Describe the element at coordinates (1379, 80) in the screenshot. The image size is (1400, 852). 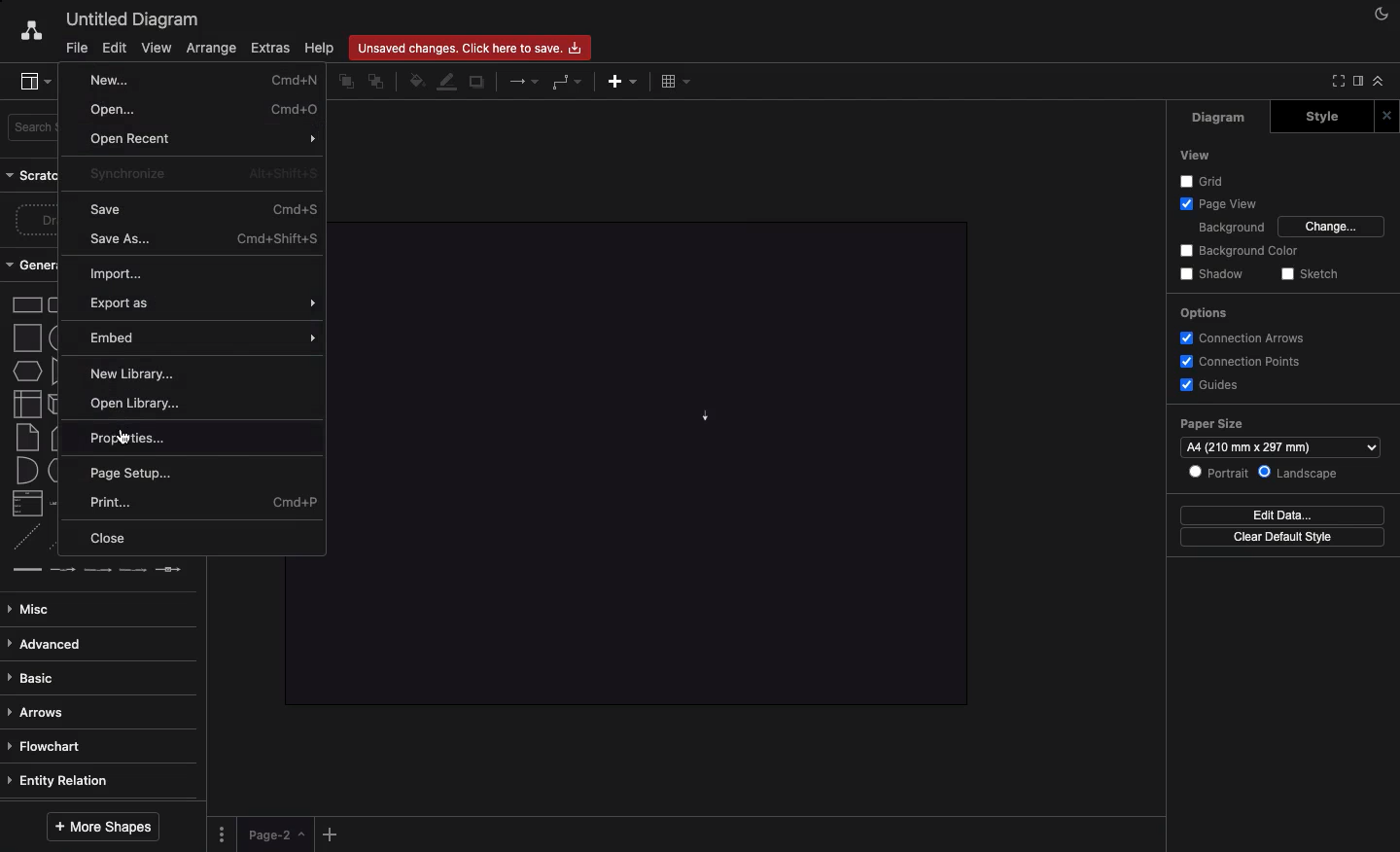
I see `Collapse` at that location.